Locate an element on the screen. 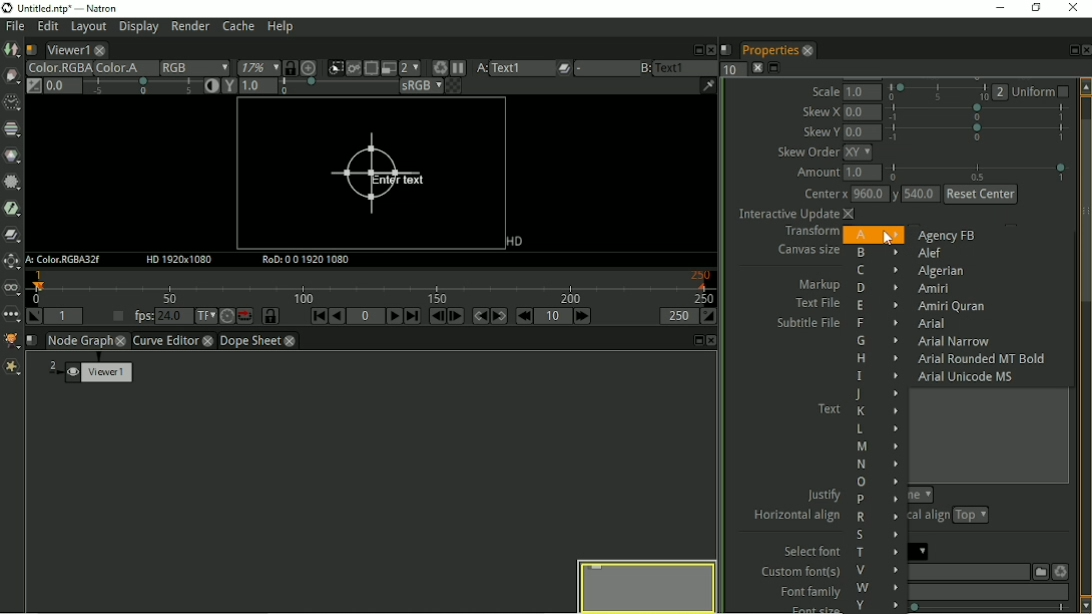 The height and width of the screenshot is (614, 1092). J is located at coordinates (875, 394).